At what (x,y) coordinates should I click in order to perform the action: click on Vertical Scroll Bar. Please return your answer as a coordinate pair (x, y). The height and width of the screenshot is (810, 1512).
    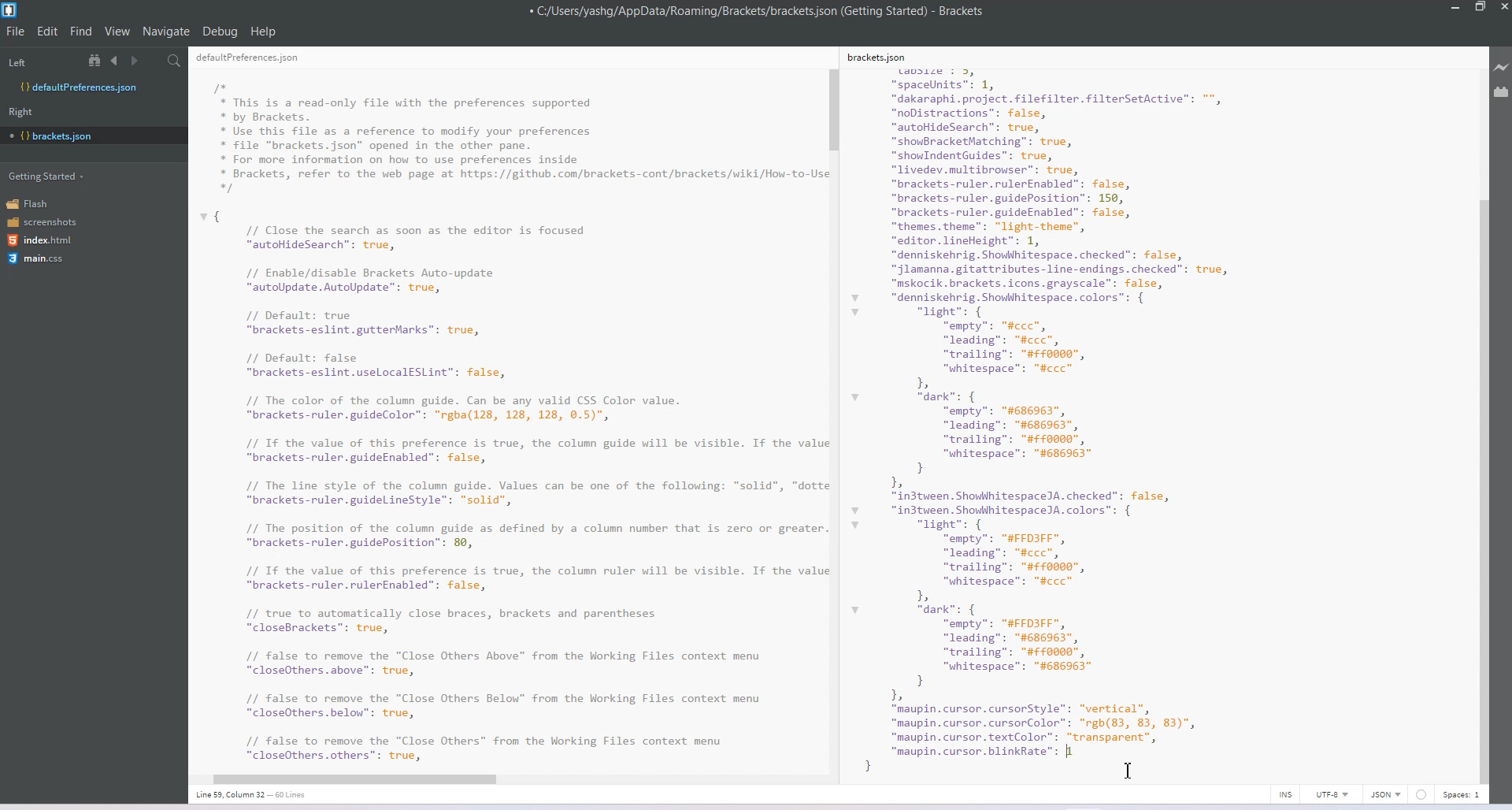
    Looking at the image, I should click on (834, 416).